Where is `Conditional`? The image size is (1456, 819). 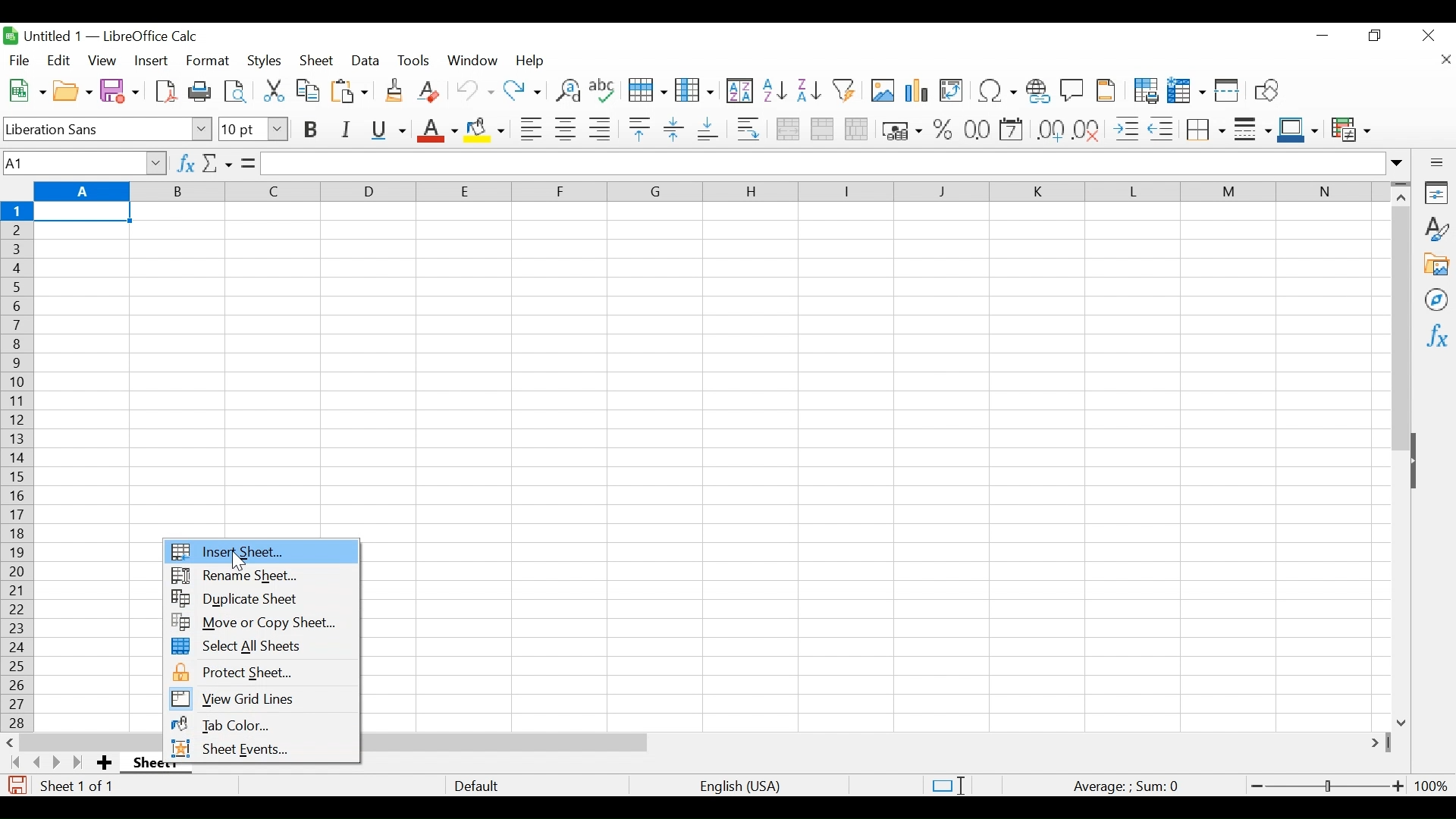 Conditional is located at coordinates (1350, 131).